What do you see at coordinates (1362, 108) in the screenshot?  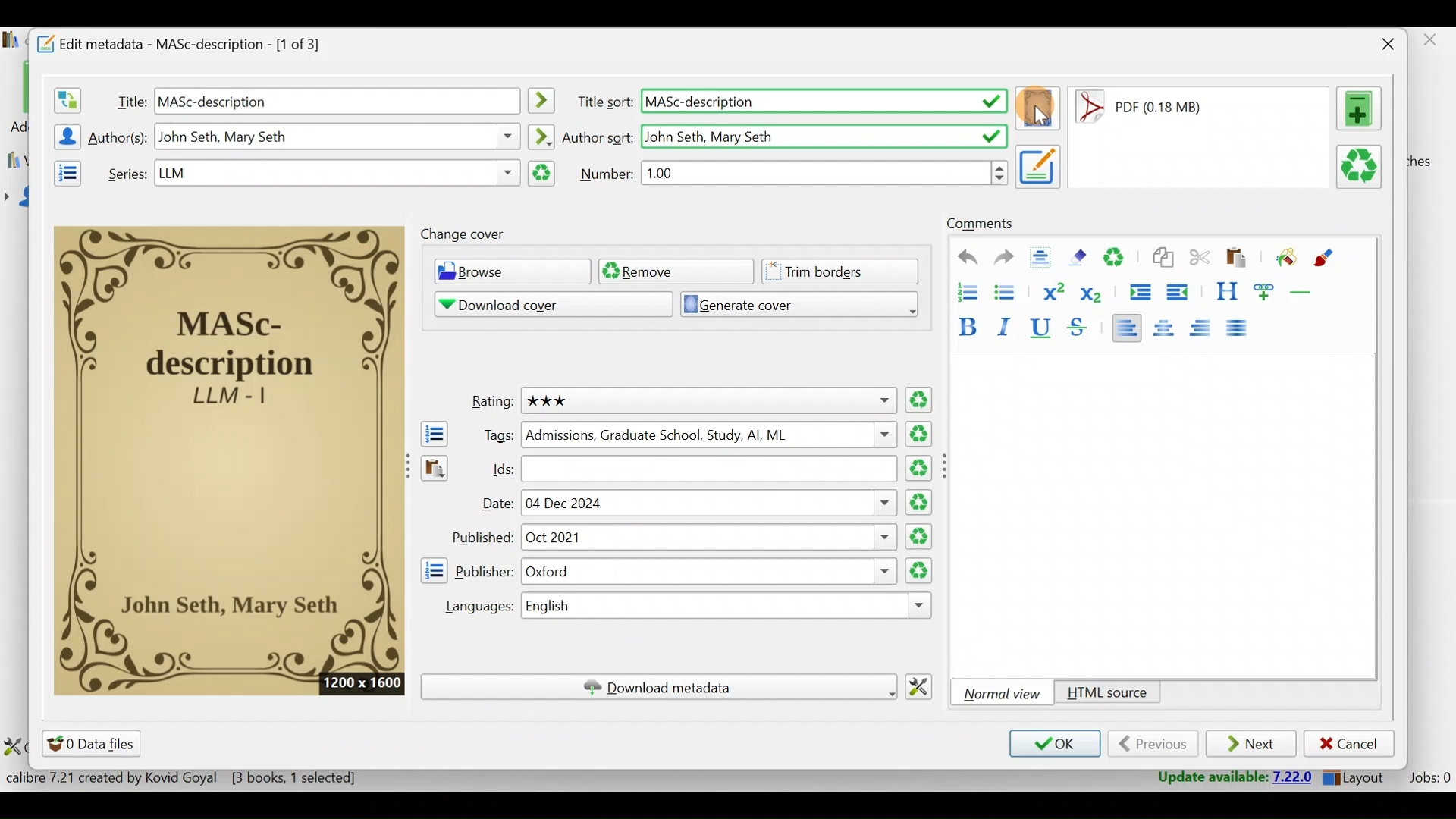 I see `Add a format to this book` at bounding box center [1362, 108].